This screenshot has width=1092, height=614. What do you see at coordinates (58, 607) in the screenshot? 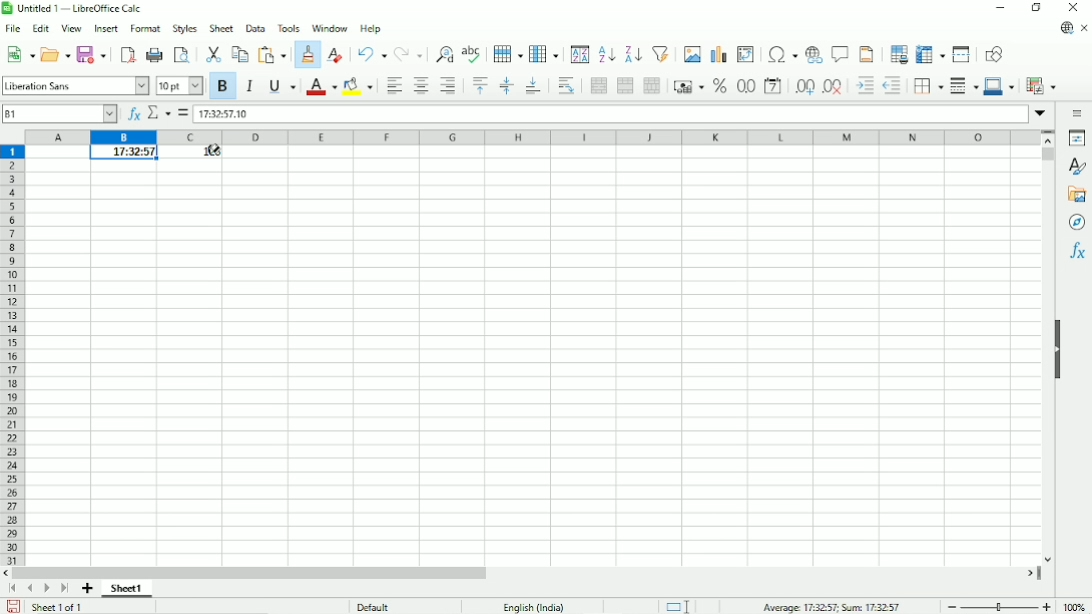
I see `Sheet 1 of 1` at bounding box center [58, 607].